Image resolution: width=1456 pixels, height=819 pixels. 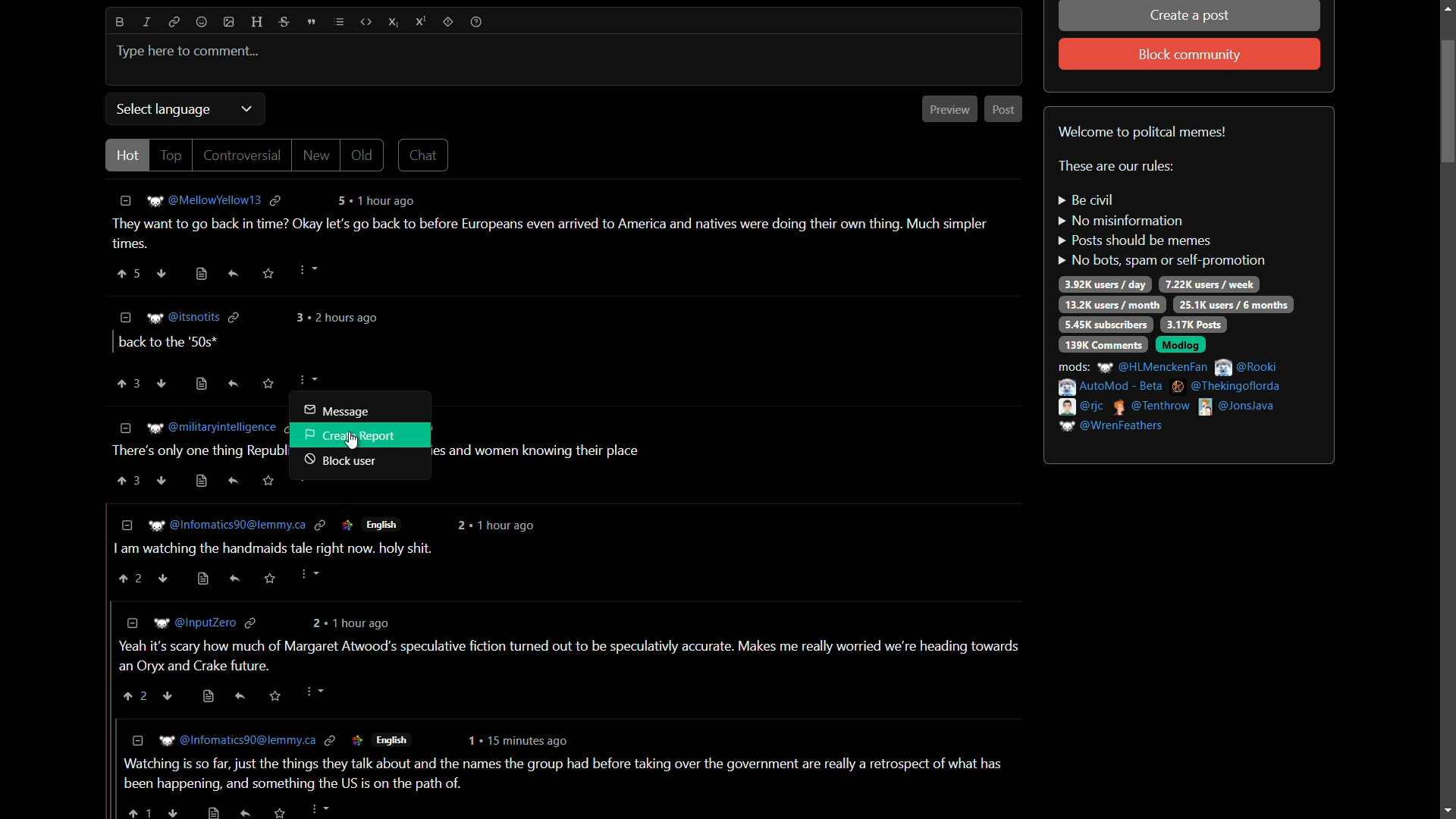 I want to click on help, so click(x=476, y=22).